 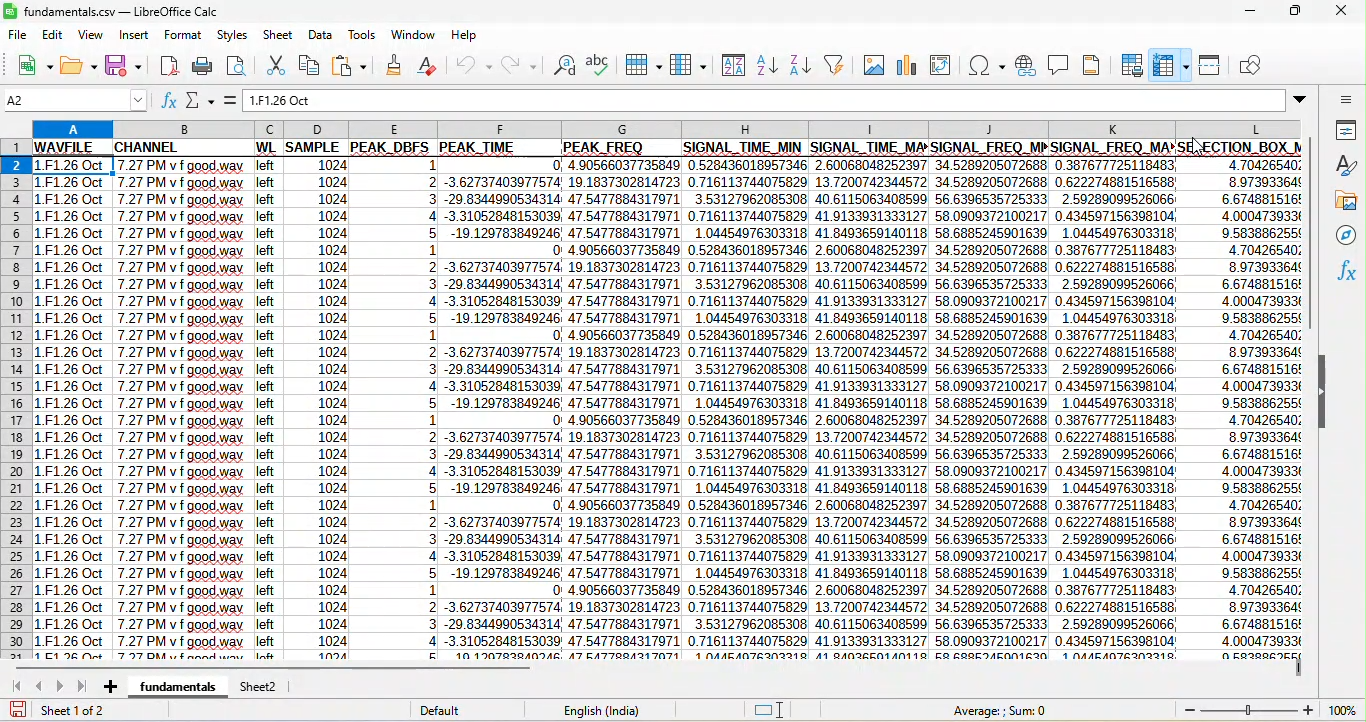 What do you see at coordinates (838, 64) in the screenshot?
I see `auto filter` at bounding box center [838, 64].